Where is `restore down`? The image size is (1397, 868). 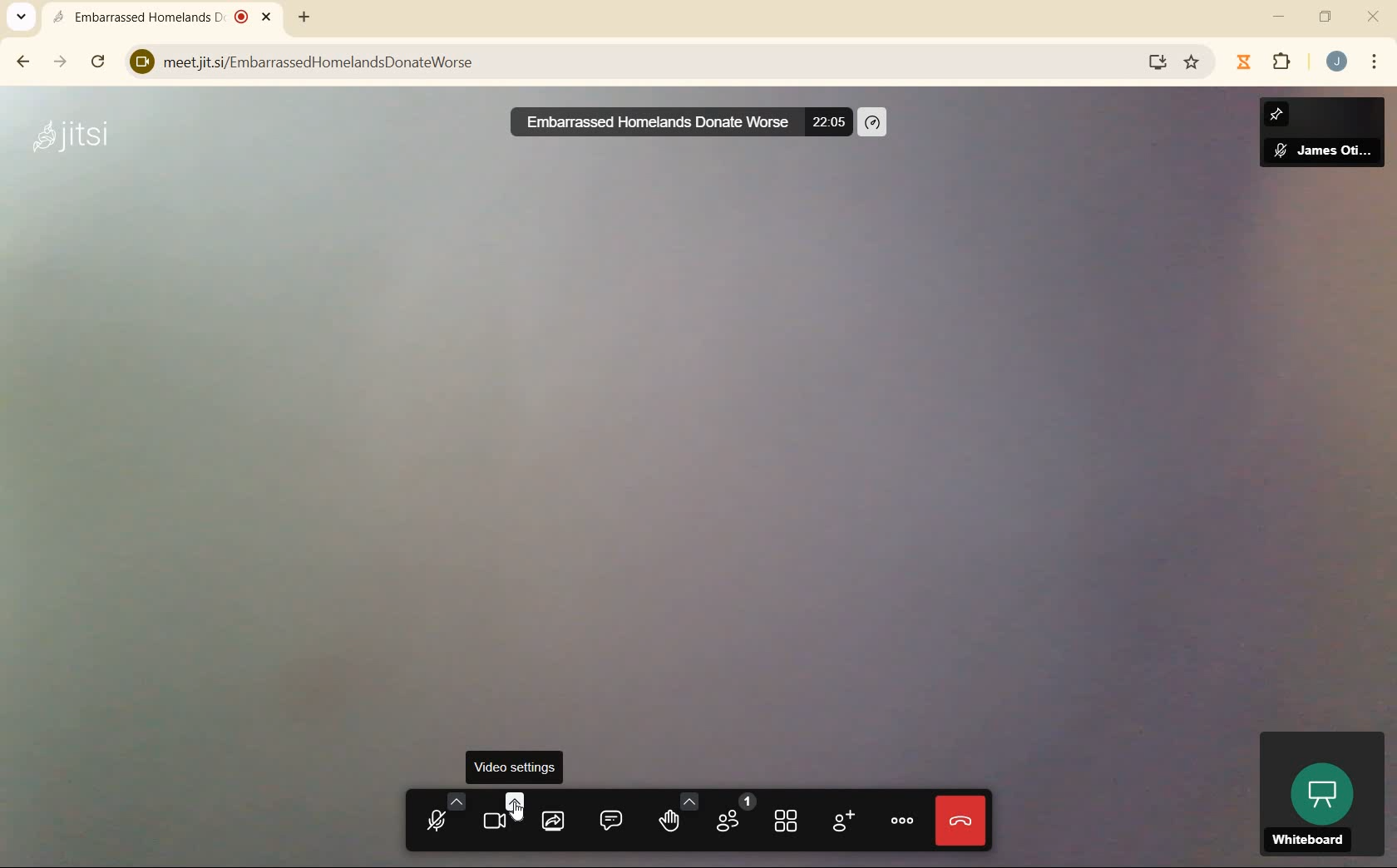 restore down is located at coordinates (1325, 16).